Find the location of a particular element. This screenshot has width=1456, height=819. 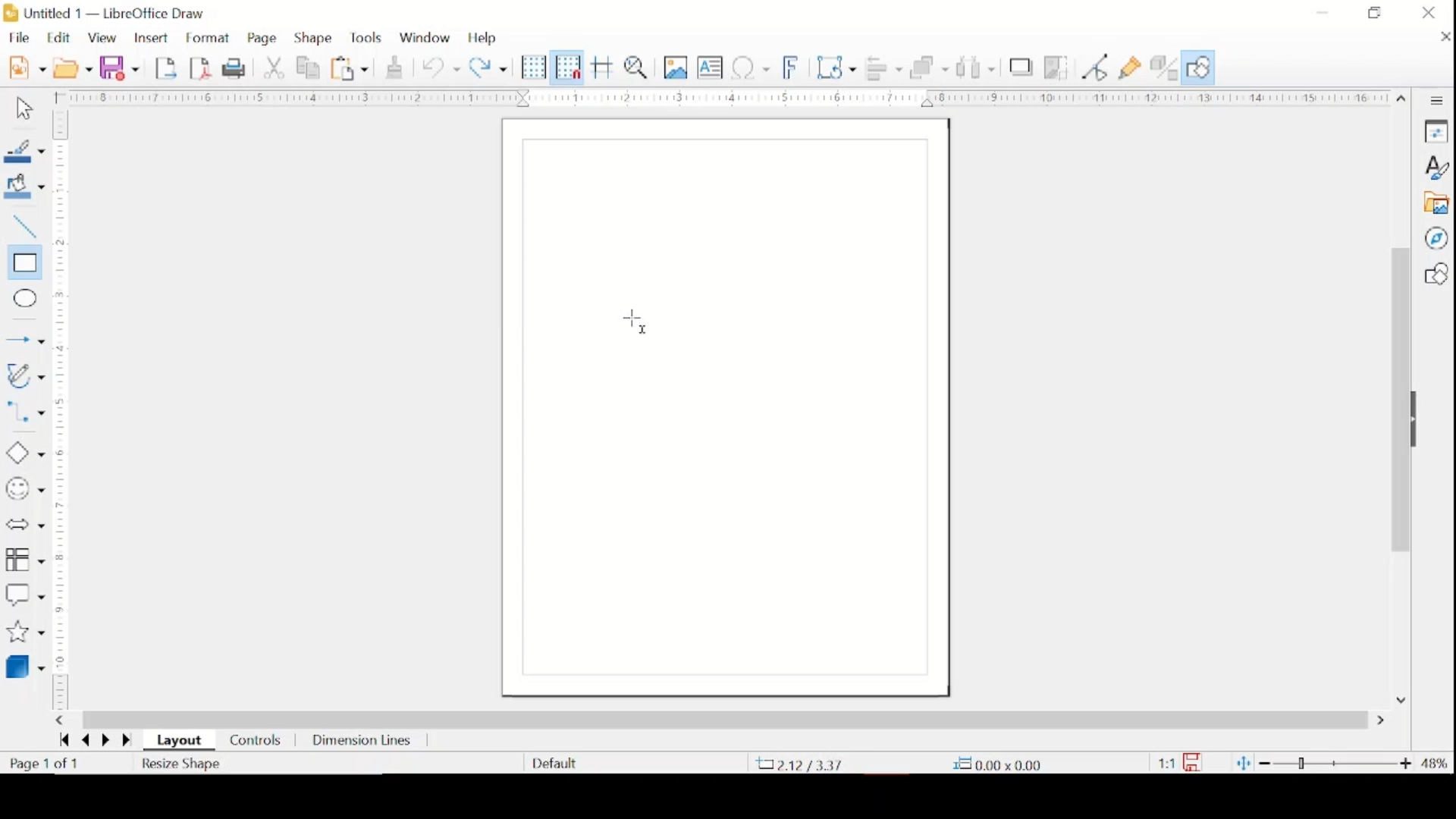

symbols and shapes is located at coordinates (24, 489).